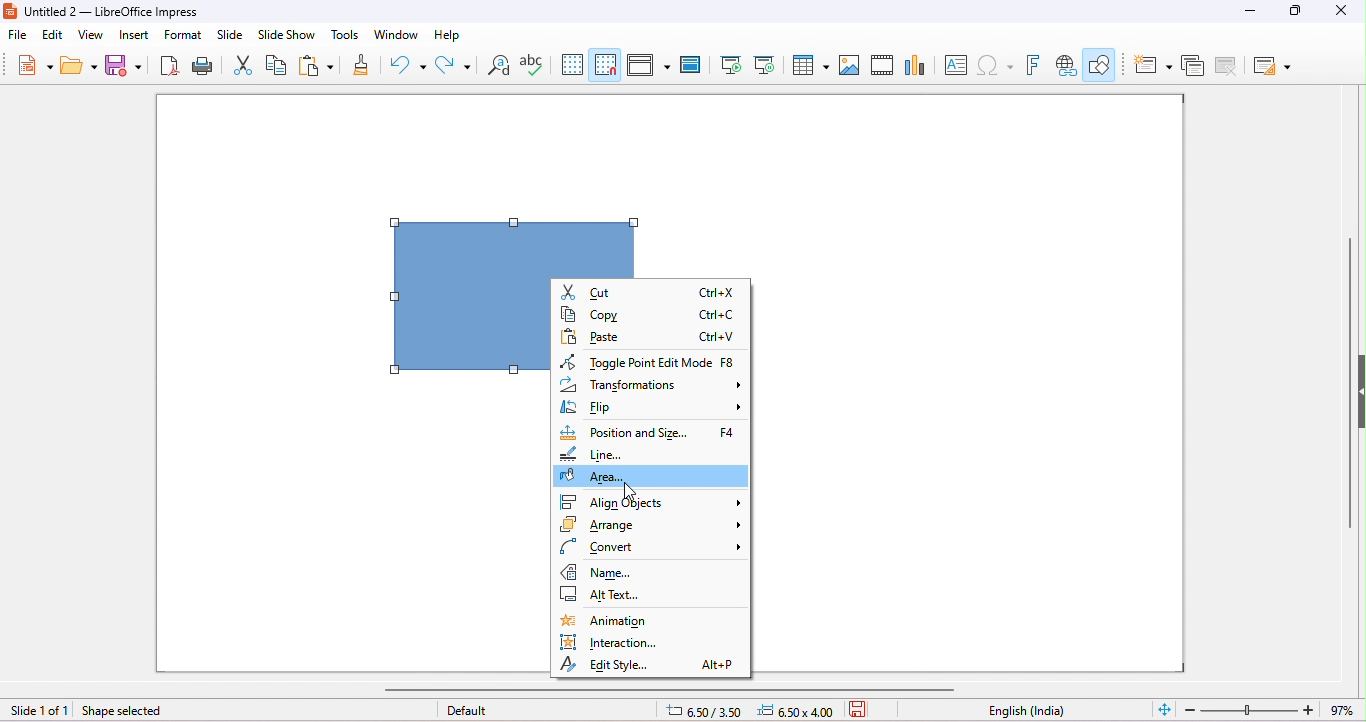 Image resolution: width=1366 pixels, height=722 pixels. I want to click on format, so click(183, 35).